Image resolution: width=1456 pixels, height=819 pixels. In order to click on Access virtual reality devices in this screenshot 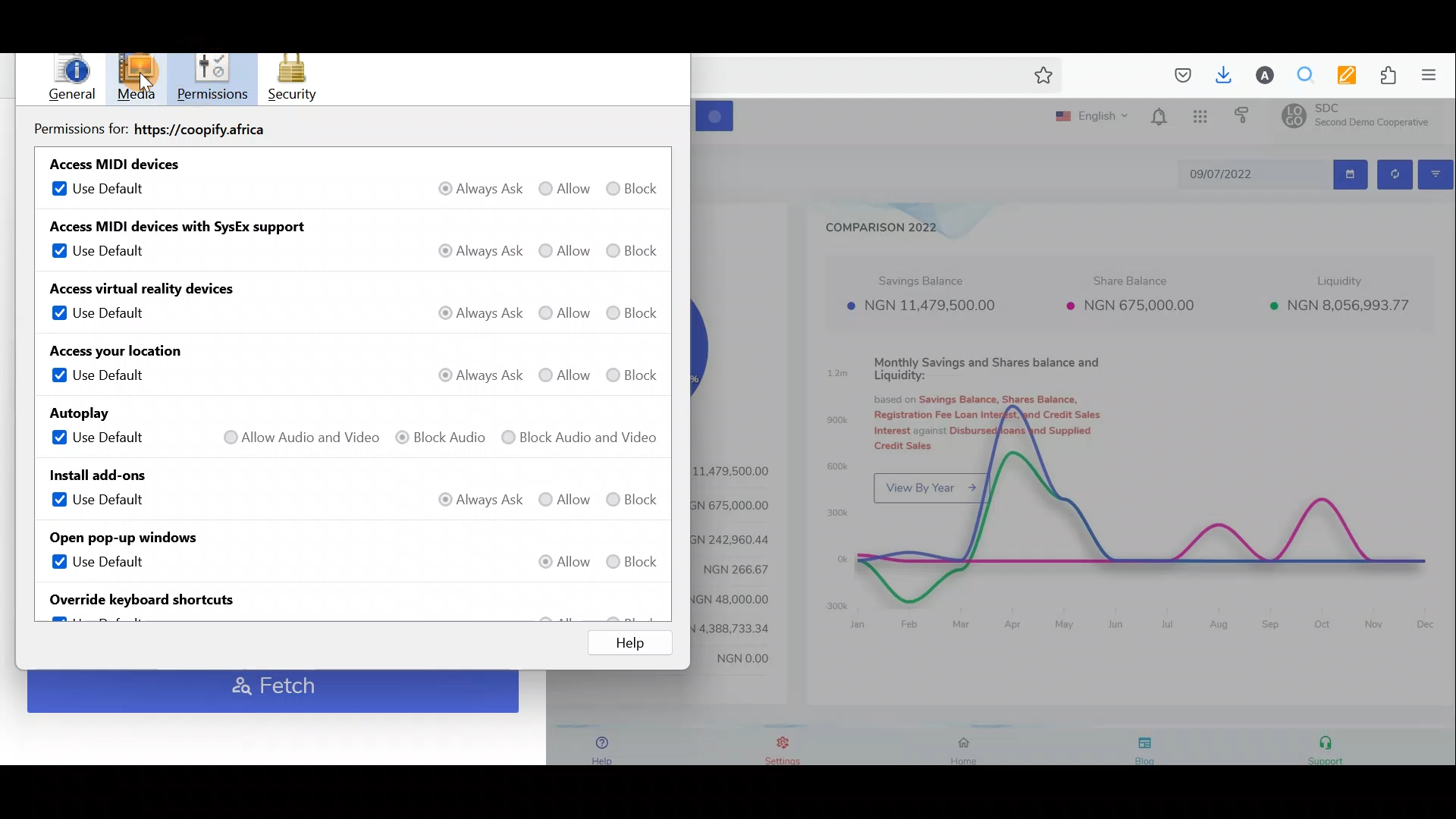, I will do `click(137, 289)`.